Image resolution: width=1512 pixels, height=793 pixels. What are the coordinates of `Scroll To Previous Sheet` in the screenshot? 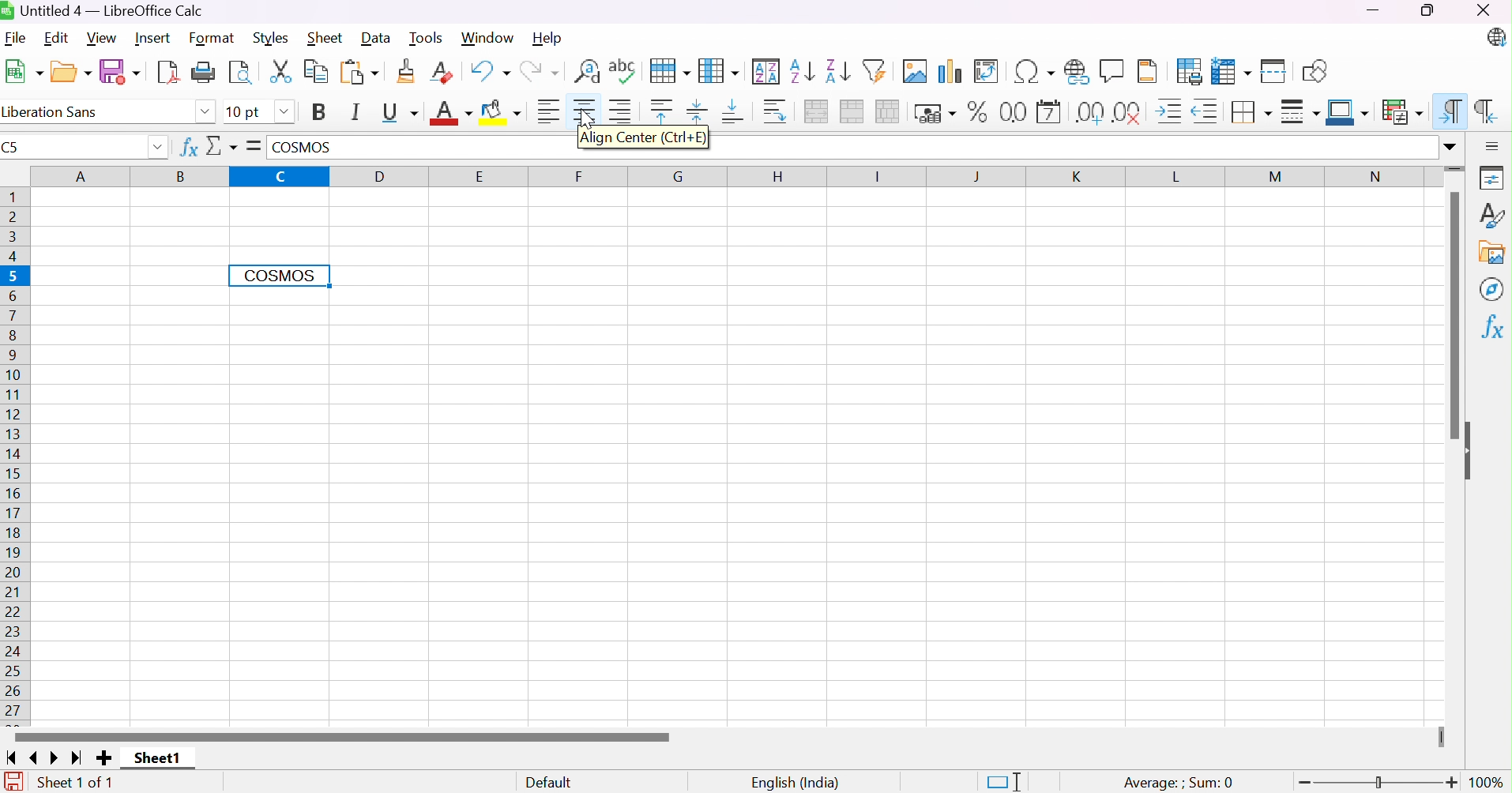 It's located at (35, 759).